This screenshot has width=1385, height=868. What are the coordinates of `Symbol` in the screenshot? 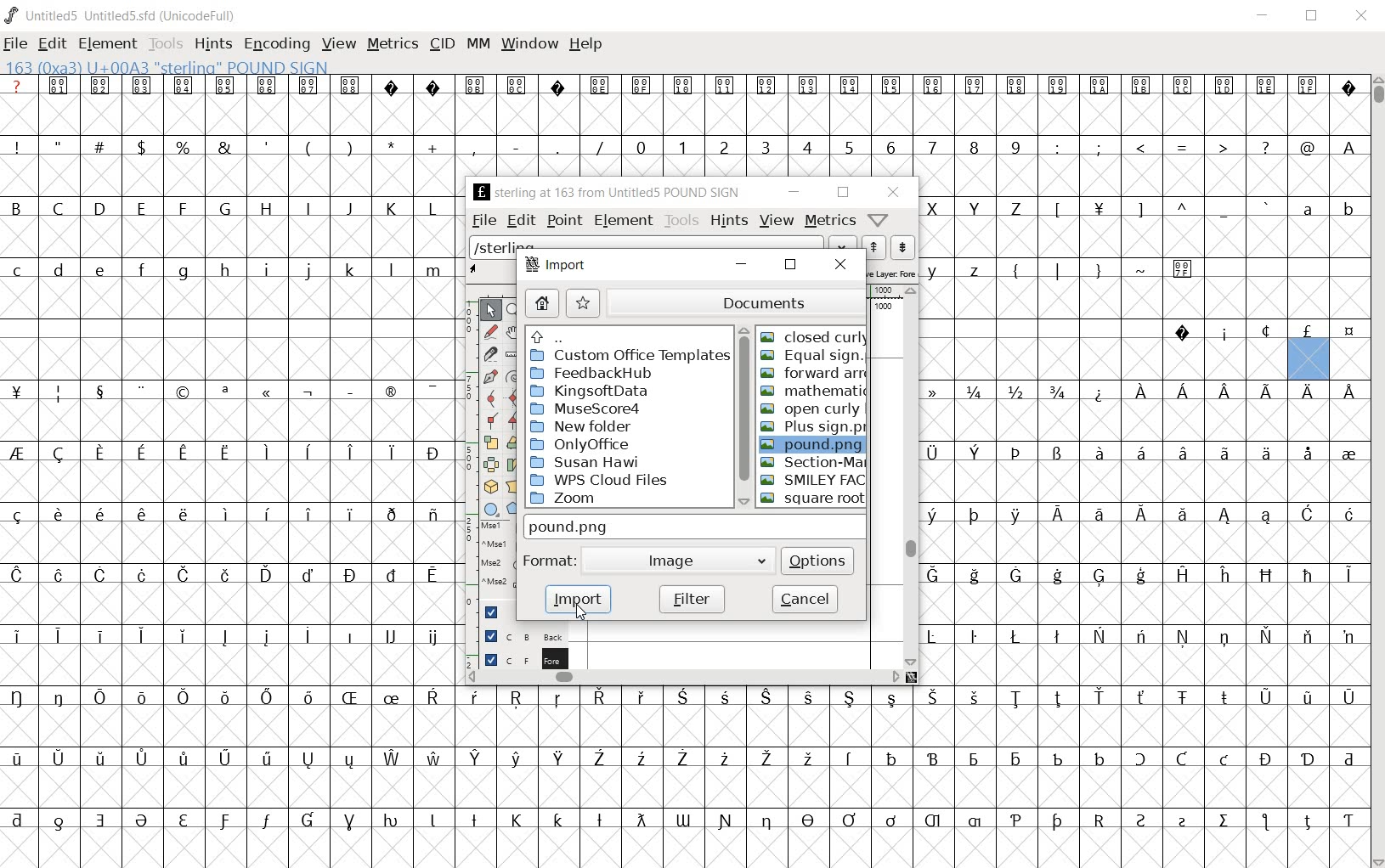 It's located at (1309, 87).